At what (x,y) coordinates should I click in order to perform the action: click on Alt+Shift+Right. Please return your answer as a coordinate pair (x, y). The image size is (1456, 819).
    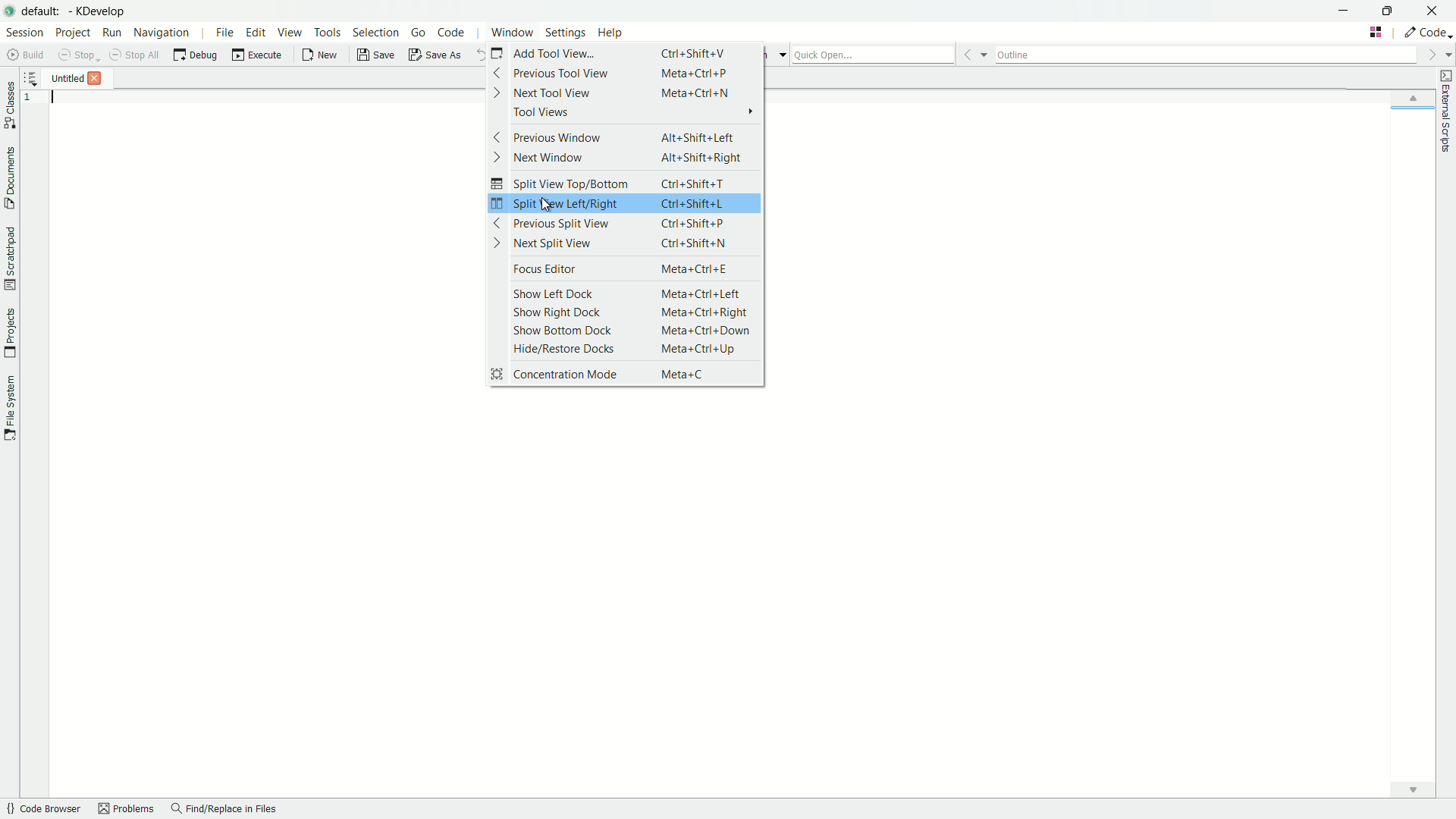
    Looking at the image, I should click on (705, 159).